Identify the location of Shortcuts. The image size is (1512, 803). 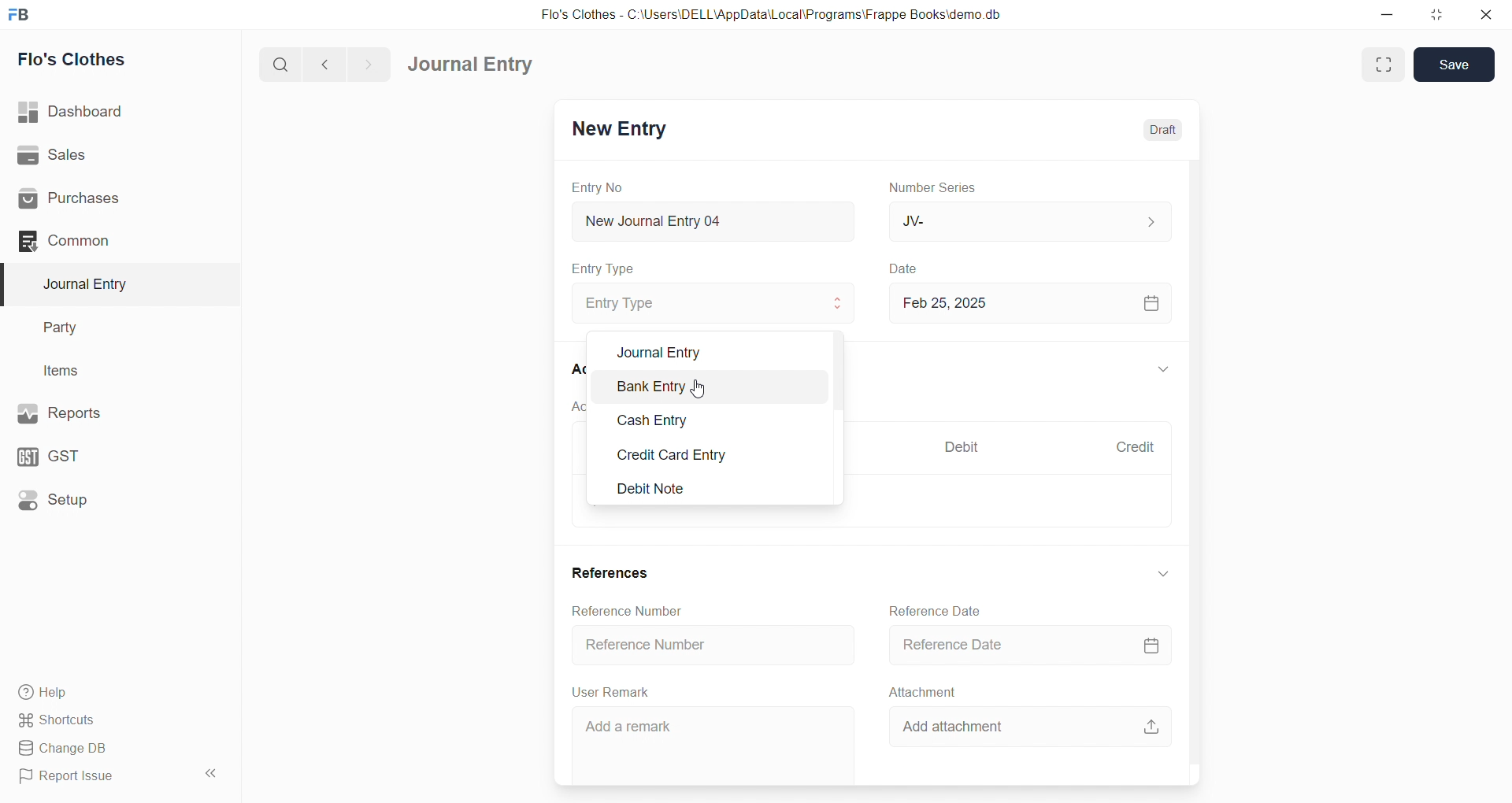
(115, 719).